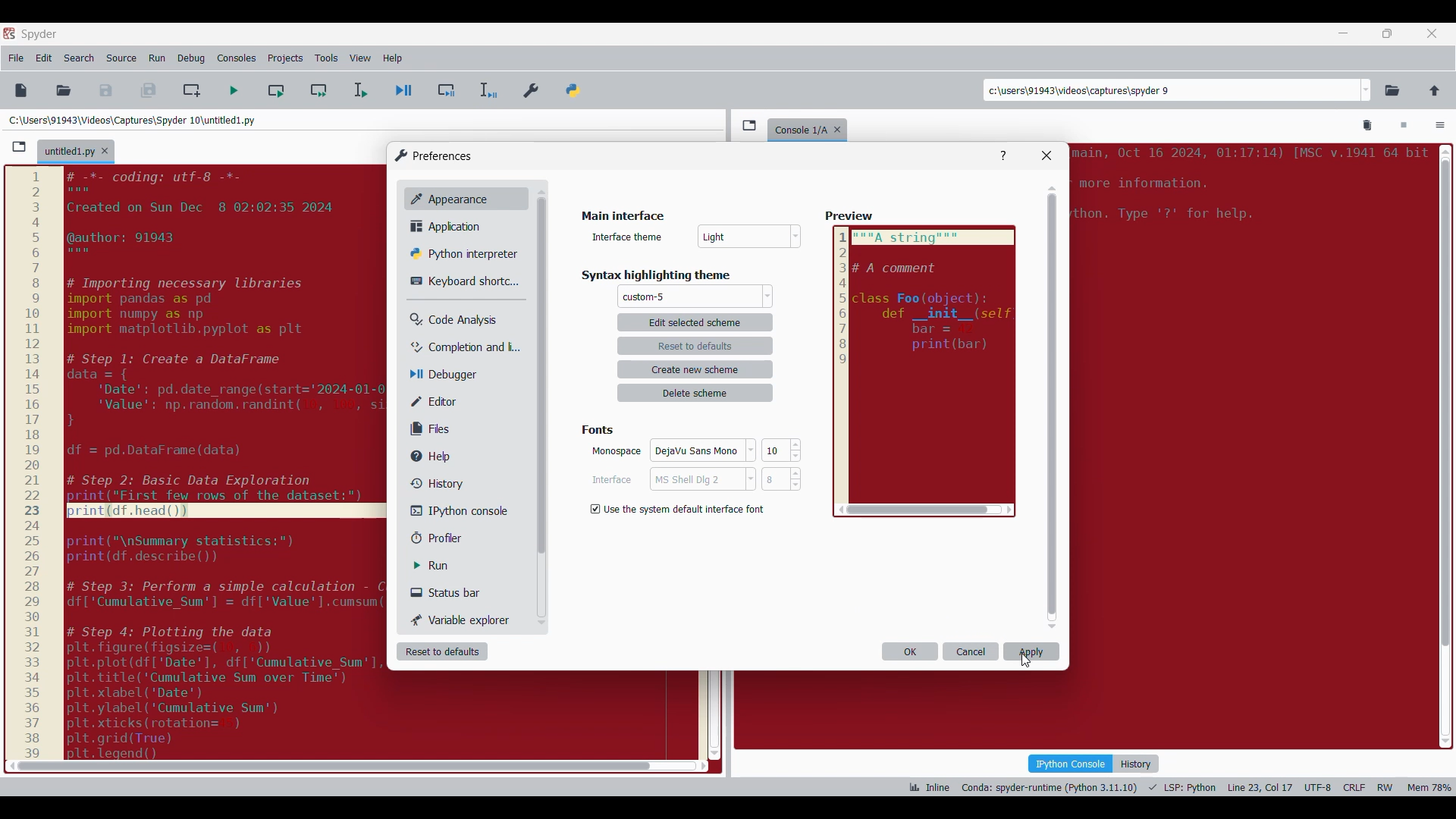 The width and height of the screenshot is (1456, 819). What do you see at coordinates (910, 651) in the screenshot?
I see `OK` at bounding box center [910, 651].